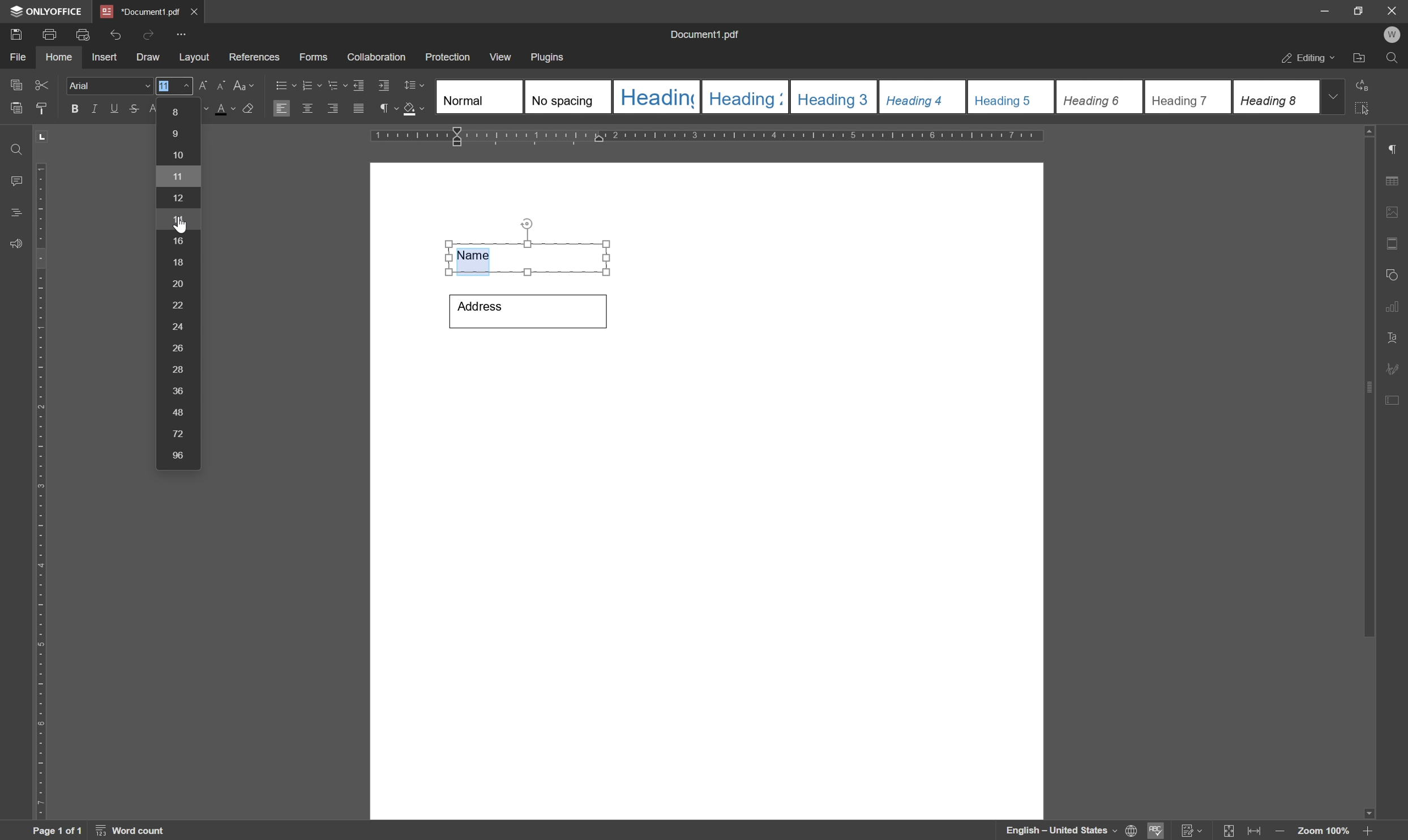 The height and width of the screenshot is (840, 1408). I want to click on restore down, so click(1354, 10).